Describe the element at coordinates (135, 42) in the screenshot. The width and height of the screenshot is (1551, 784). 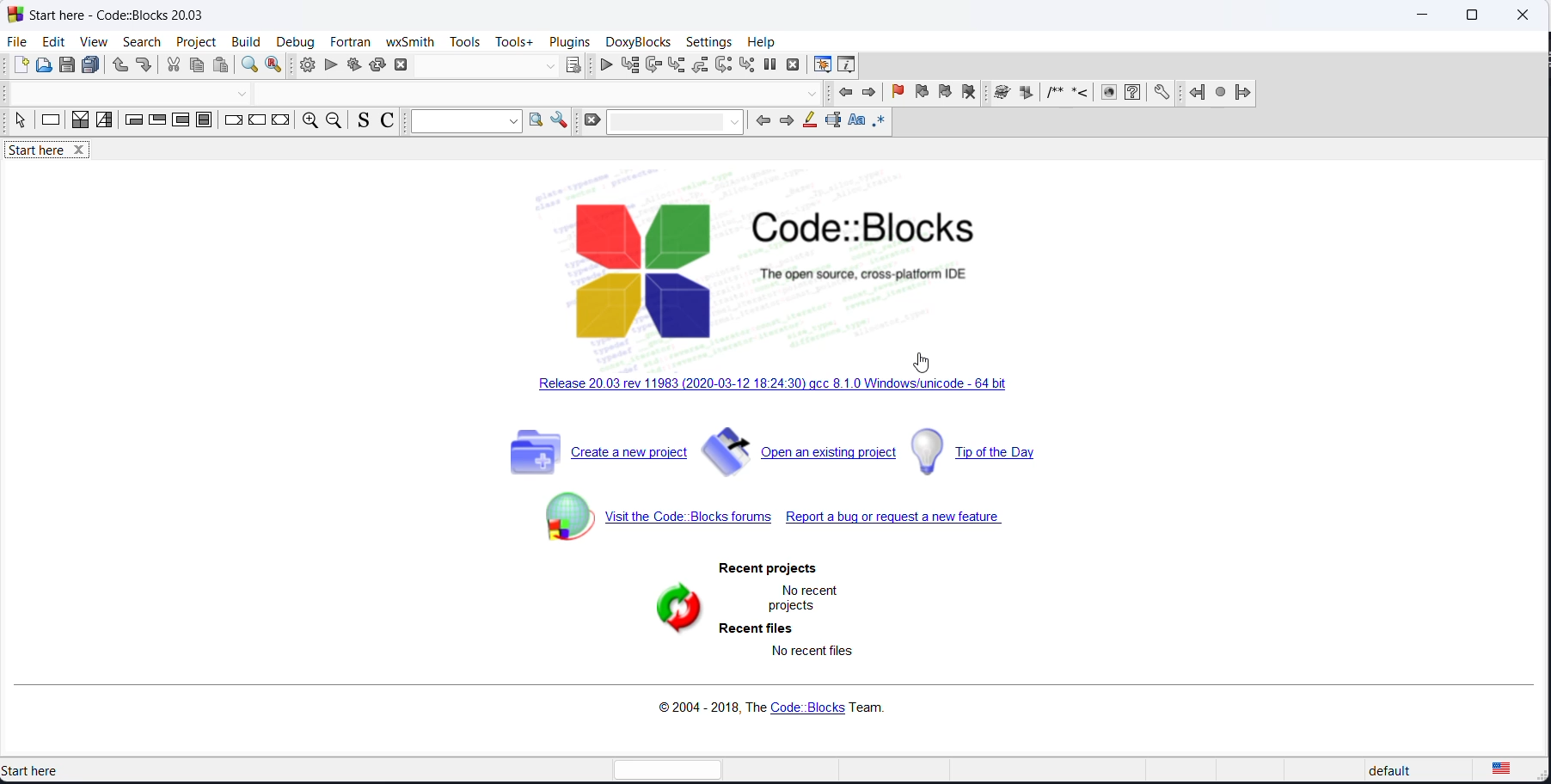
I see `search` at that location.